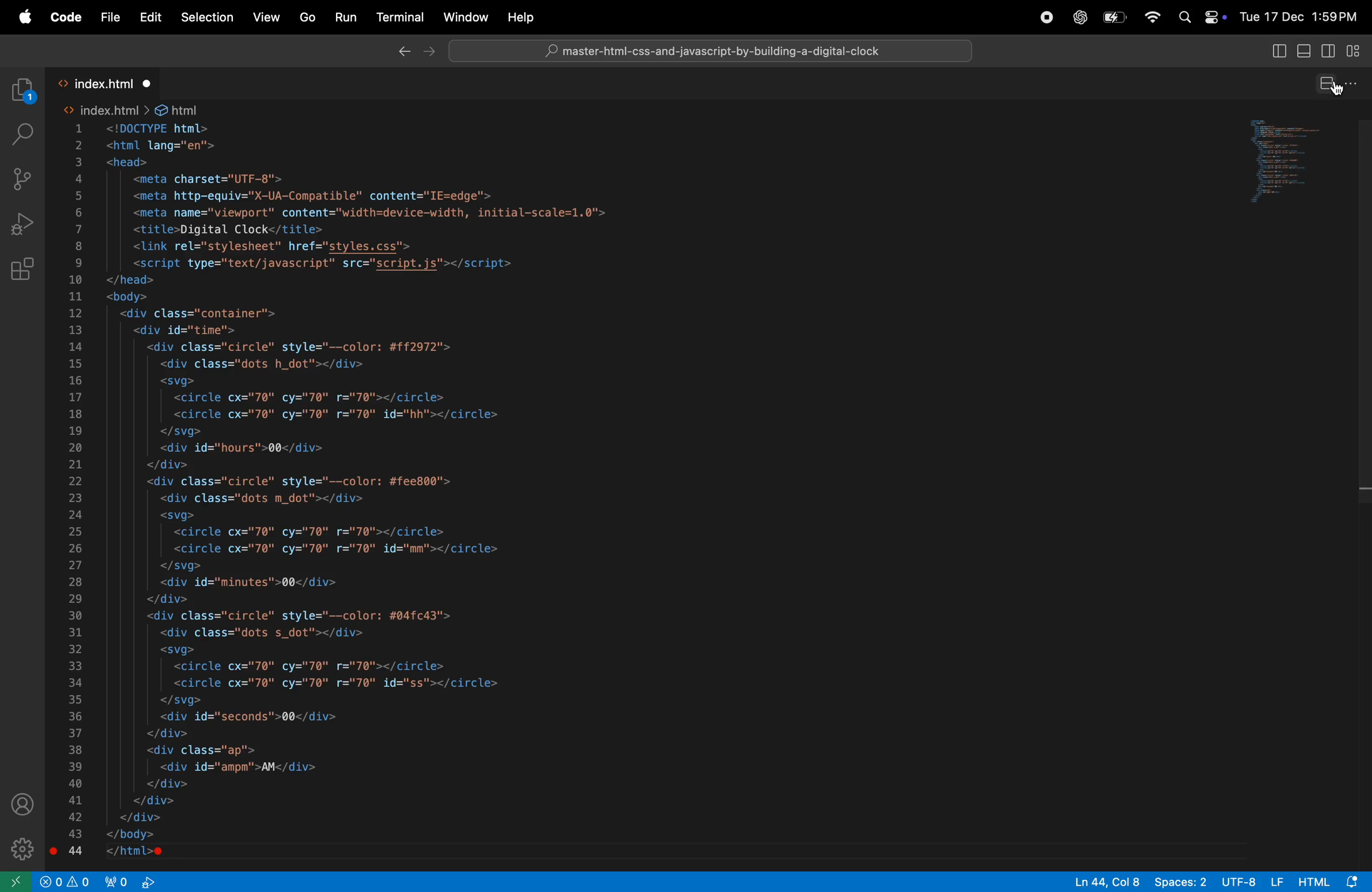 The height and width of the screenshot is (892, 1372). I want to click on wifi, so click(1151, 16).